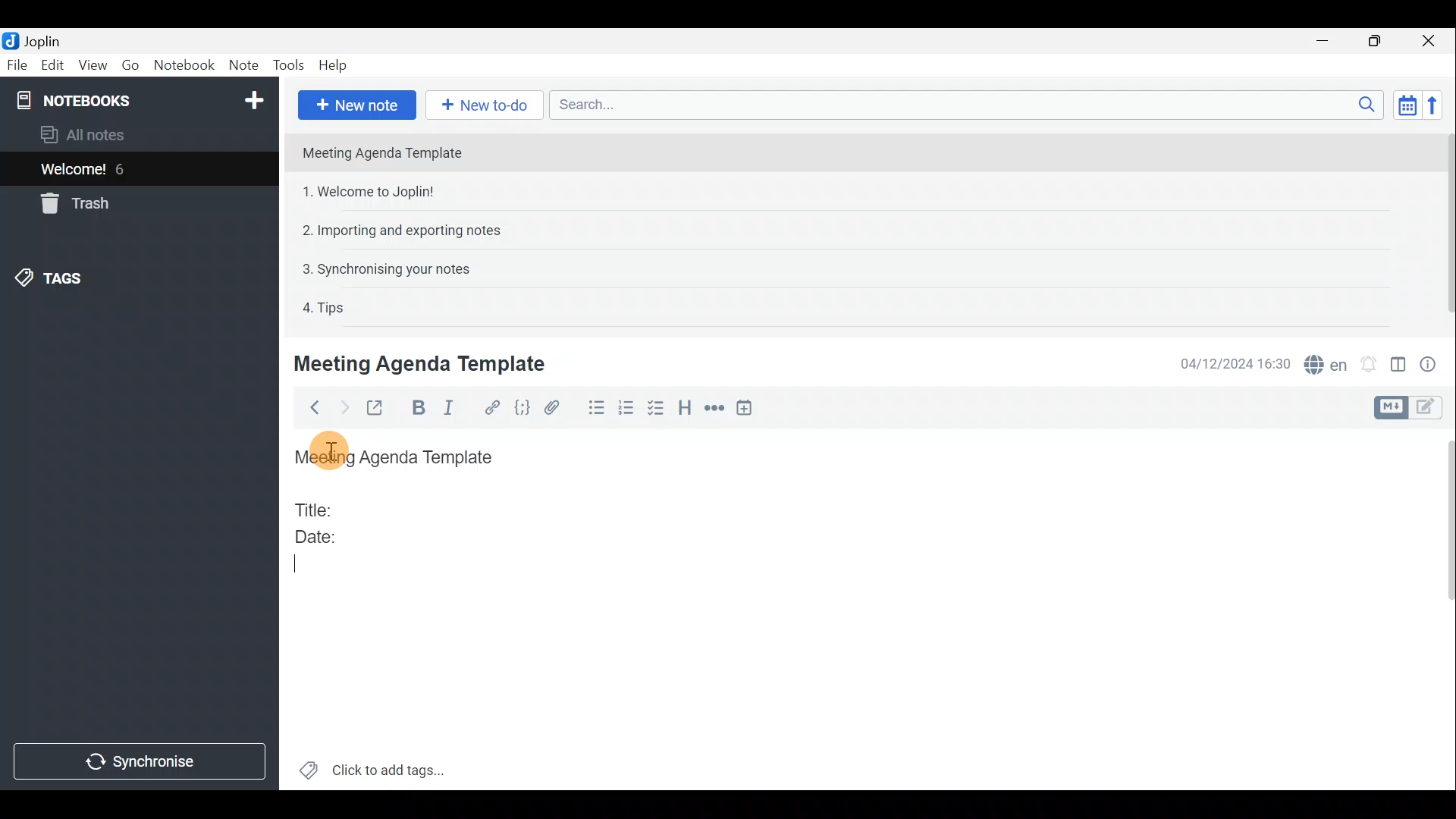 This screenshot has height=819, width=1456. I want to click on All notes, so click(108, 134).